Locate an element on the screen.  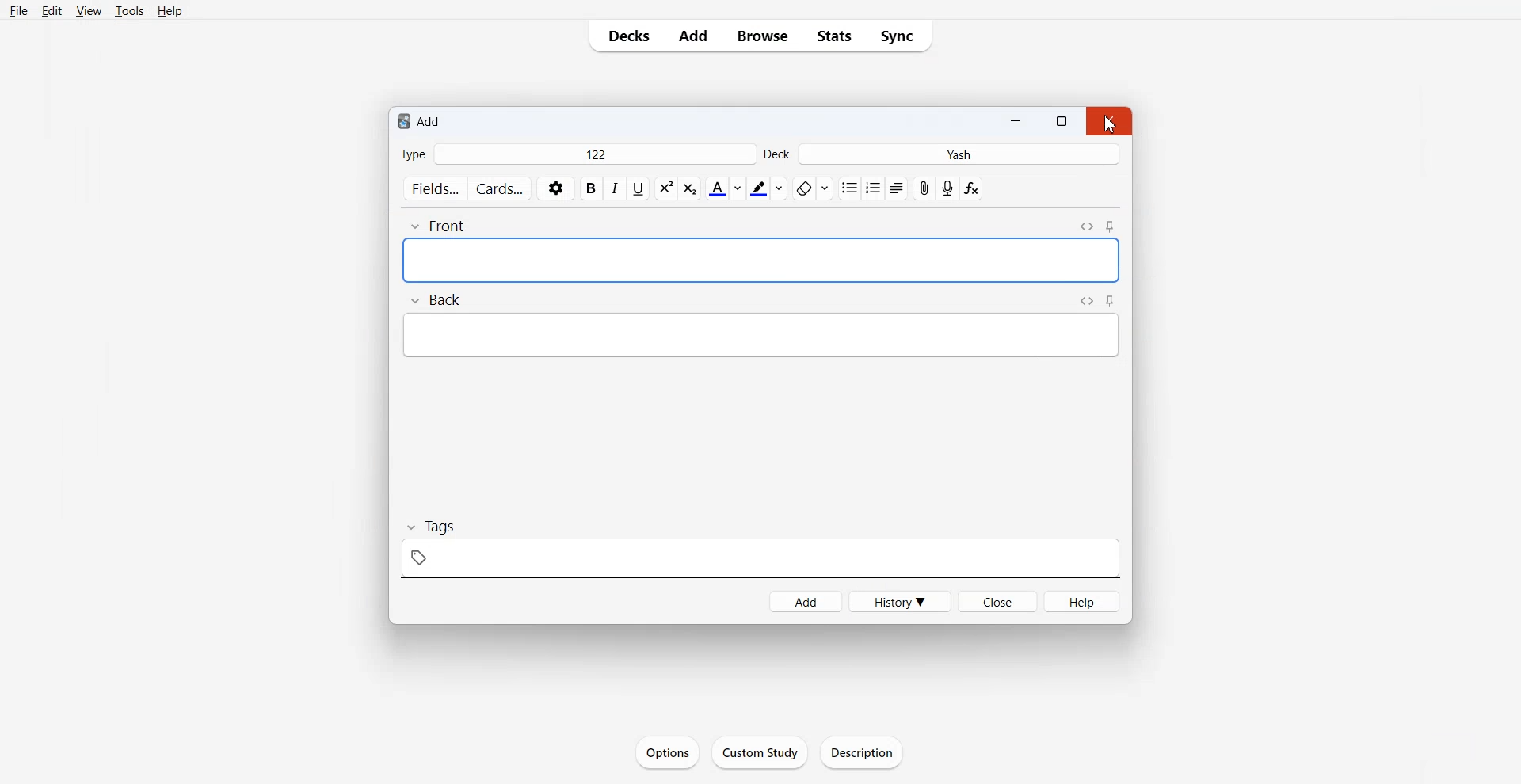
typing space is located at coordinates (760, 335).